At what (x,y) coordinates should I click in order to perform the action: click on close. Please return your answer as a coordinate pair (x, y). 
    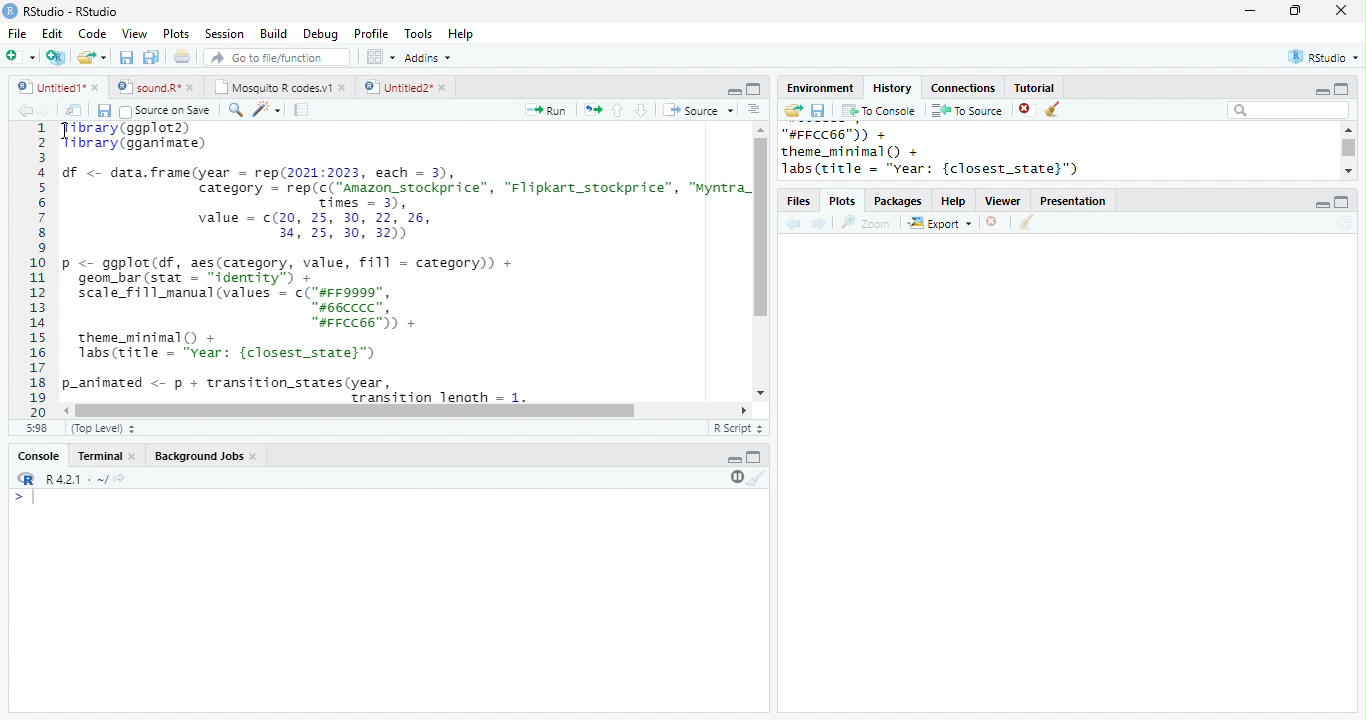
    Looking at the image, I should click on (134, 457).